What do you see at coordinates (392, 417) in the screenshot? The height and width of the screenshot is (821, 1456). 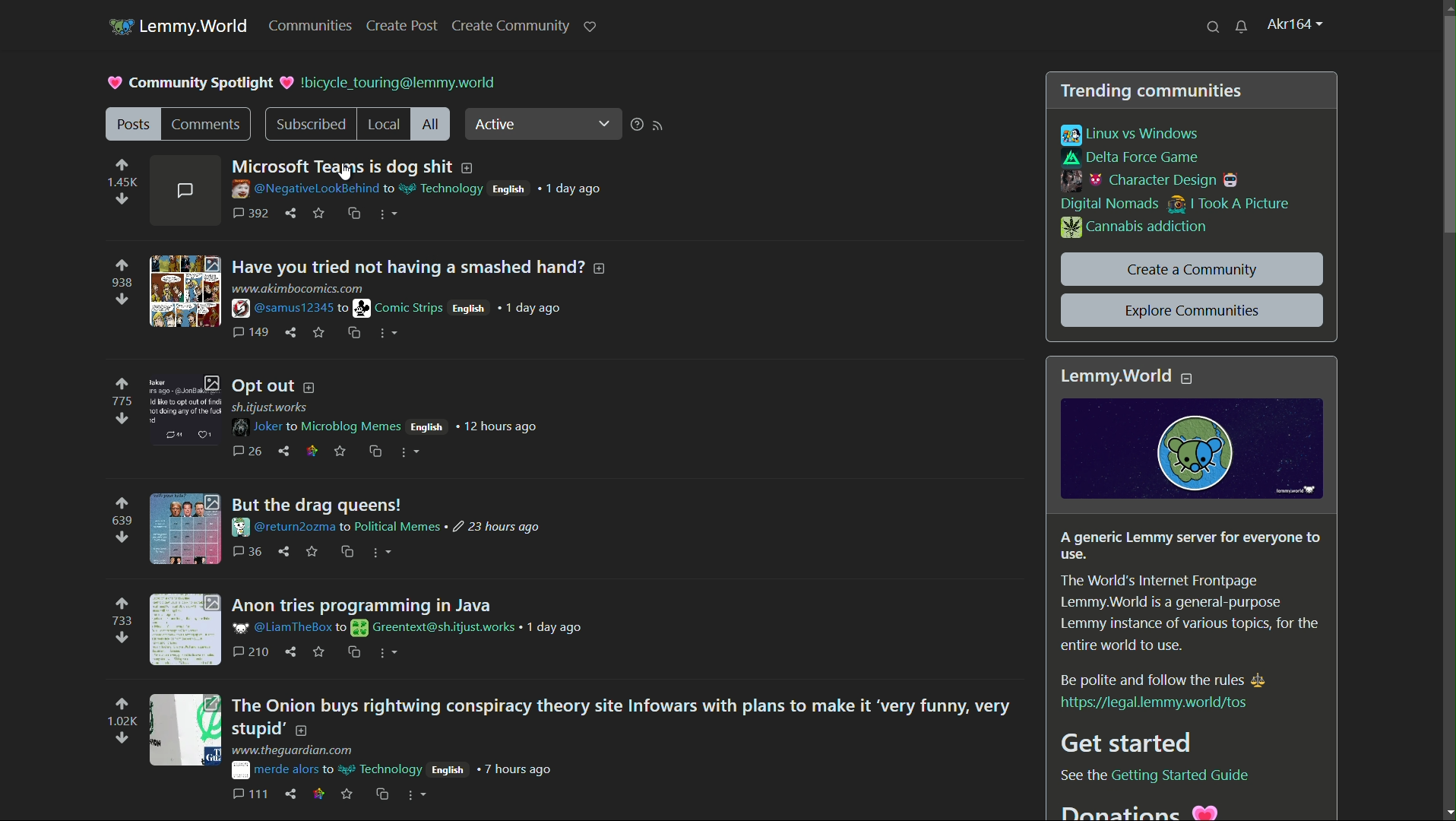 I see `post details` at bounding box center [392, 417].